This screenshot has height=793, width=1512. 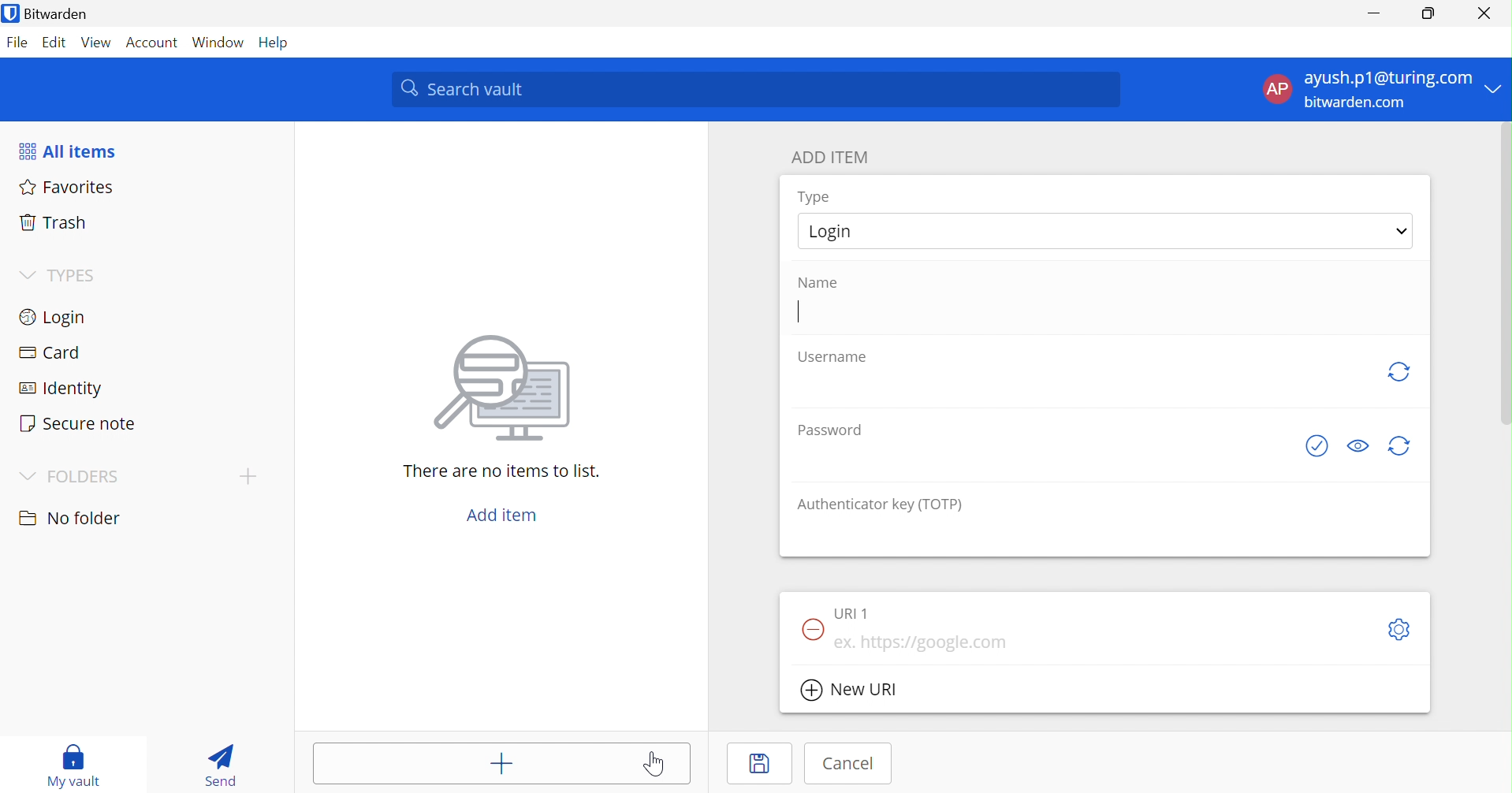 What do you see at coordinates (1358, 445) in the screenshot?
I see `Toggle visibility` at bounding box center [1358, 445].